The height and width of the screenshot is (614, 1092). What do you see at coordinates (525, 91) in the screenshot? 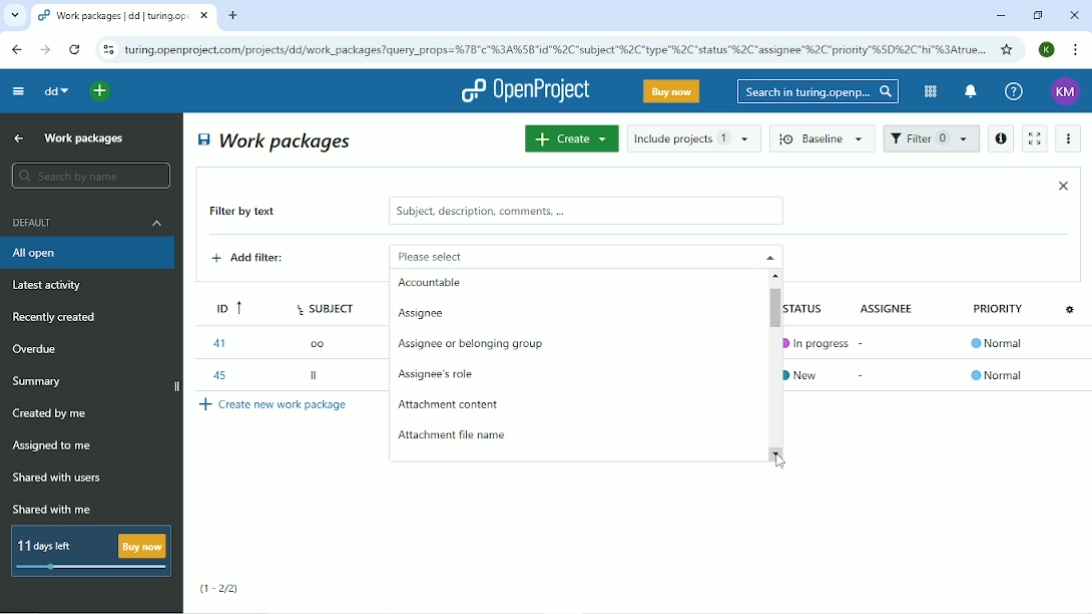
I see `OpenProject` at bounding box center [525, 91].